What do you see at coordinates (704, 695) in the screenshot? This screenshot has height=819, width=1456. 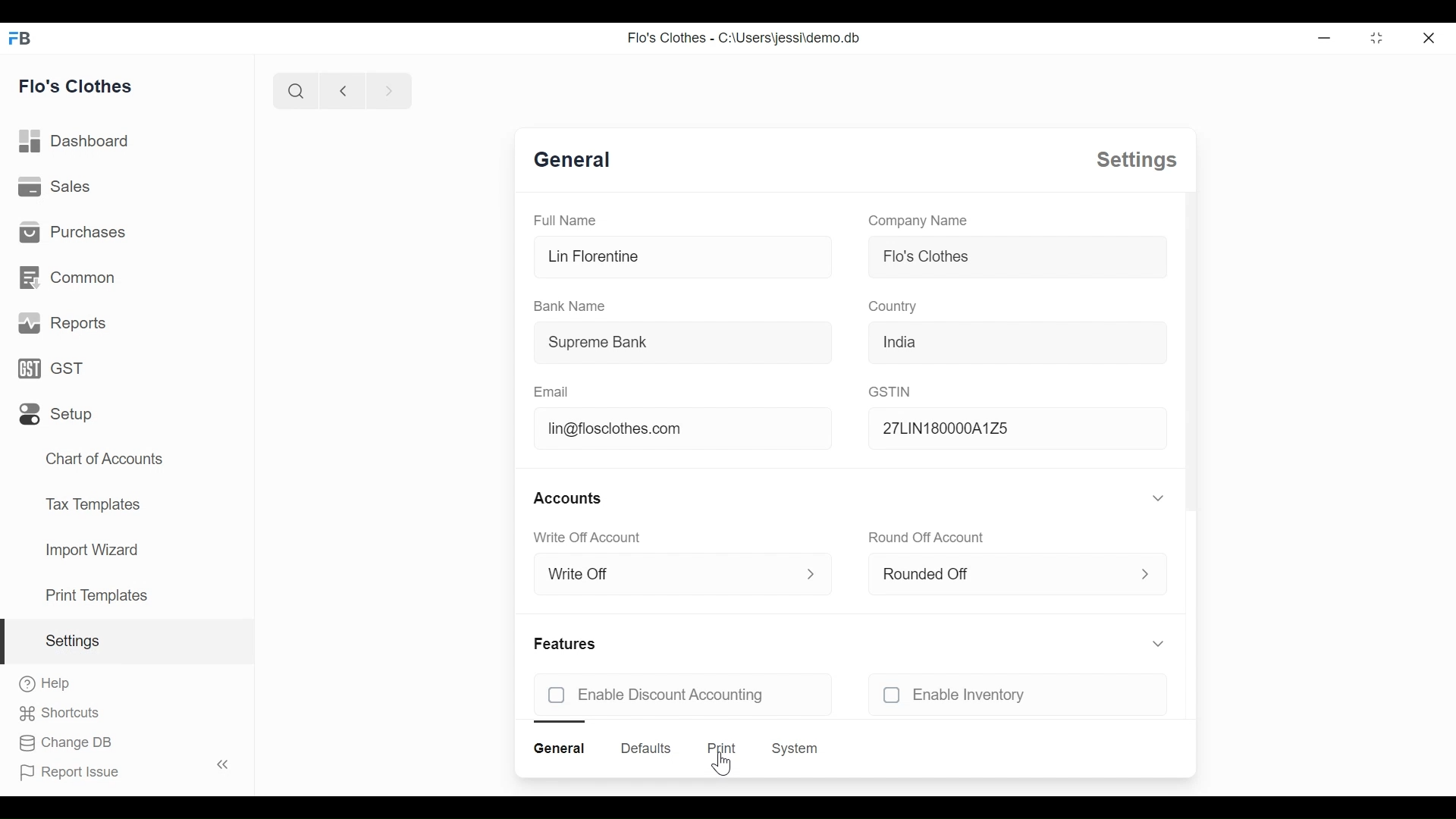 I see `enable discount accounting` at bounding box center [704, 695].